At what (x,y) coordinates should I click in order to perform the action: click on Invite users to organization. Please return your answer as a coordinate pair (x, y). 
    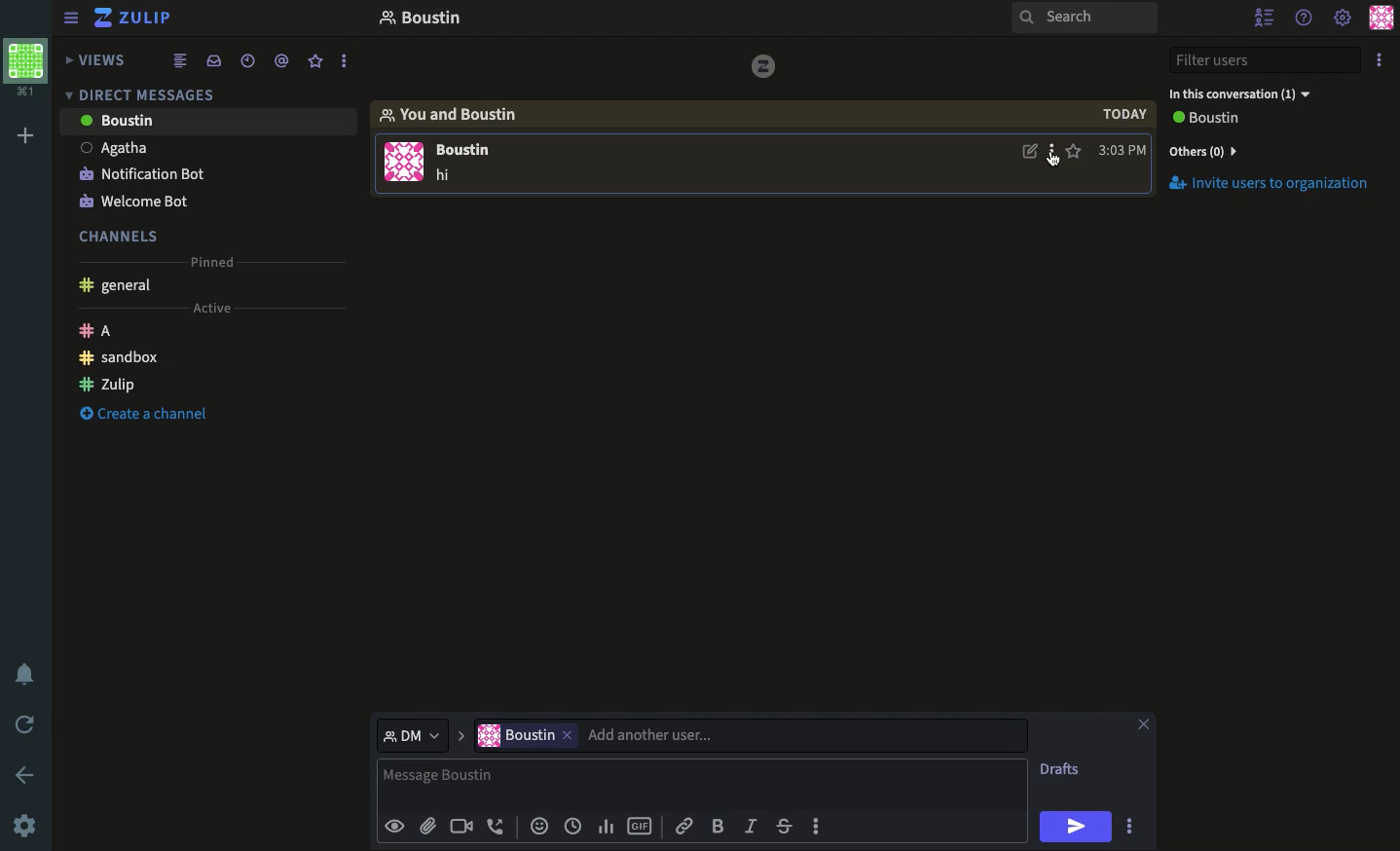
    Looking at the image, I should click on (1278, 185).